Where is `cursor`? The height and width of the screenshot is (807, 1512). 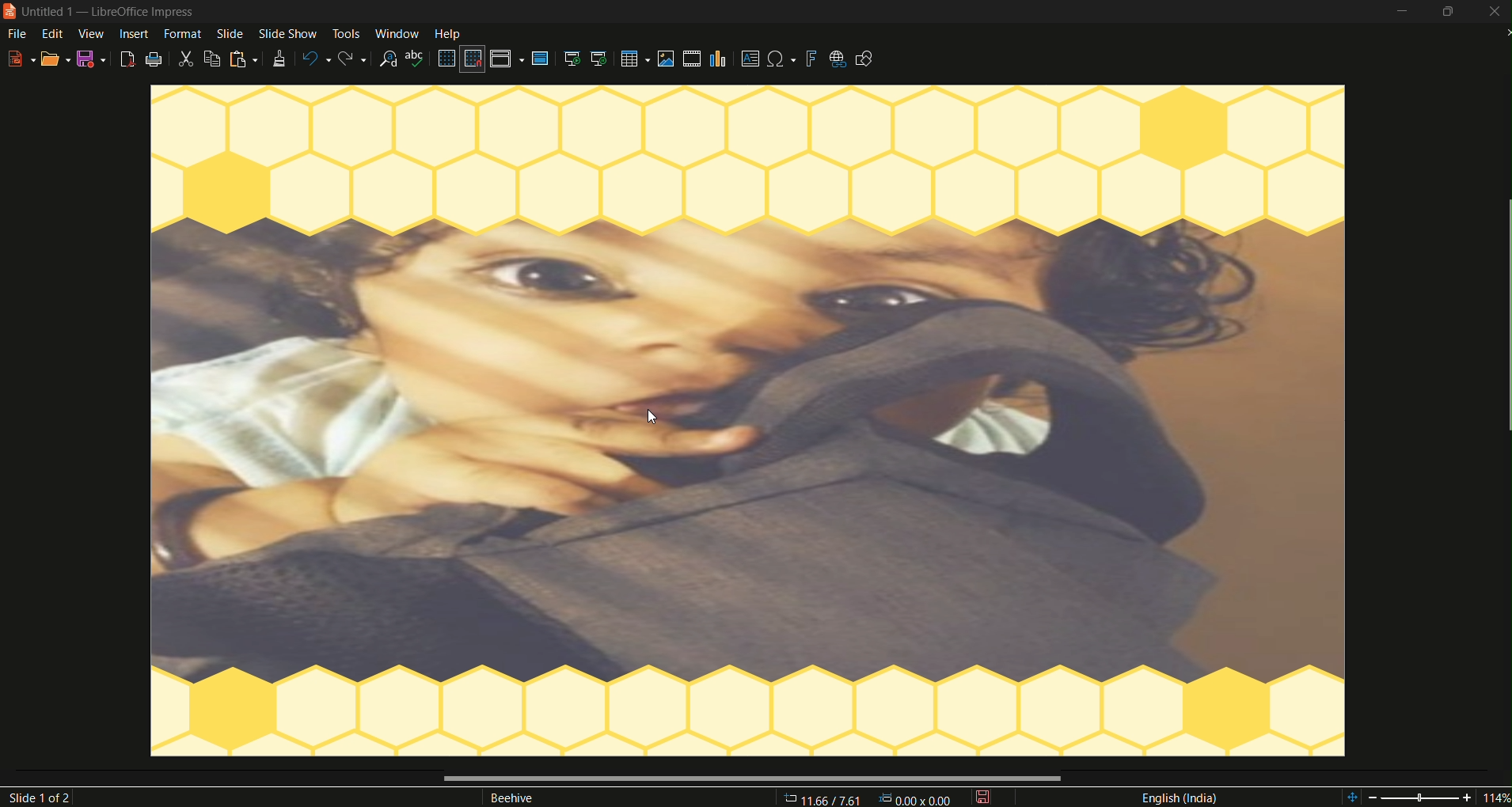
cursor is located at coordinates (647, 415).